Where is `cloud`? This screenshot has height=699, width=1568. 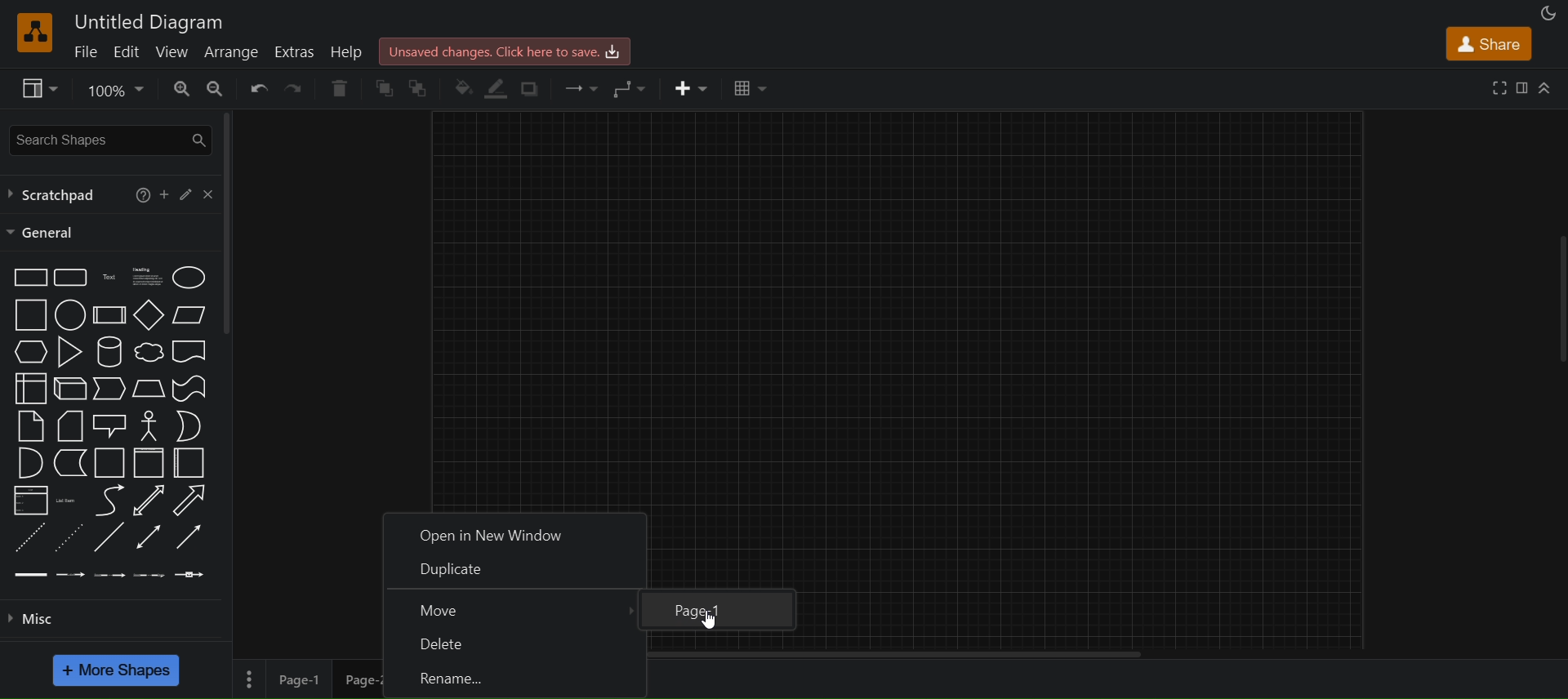
cloud is located at coordinates (147, 353).